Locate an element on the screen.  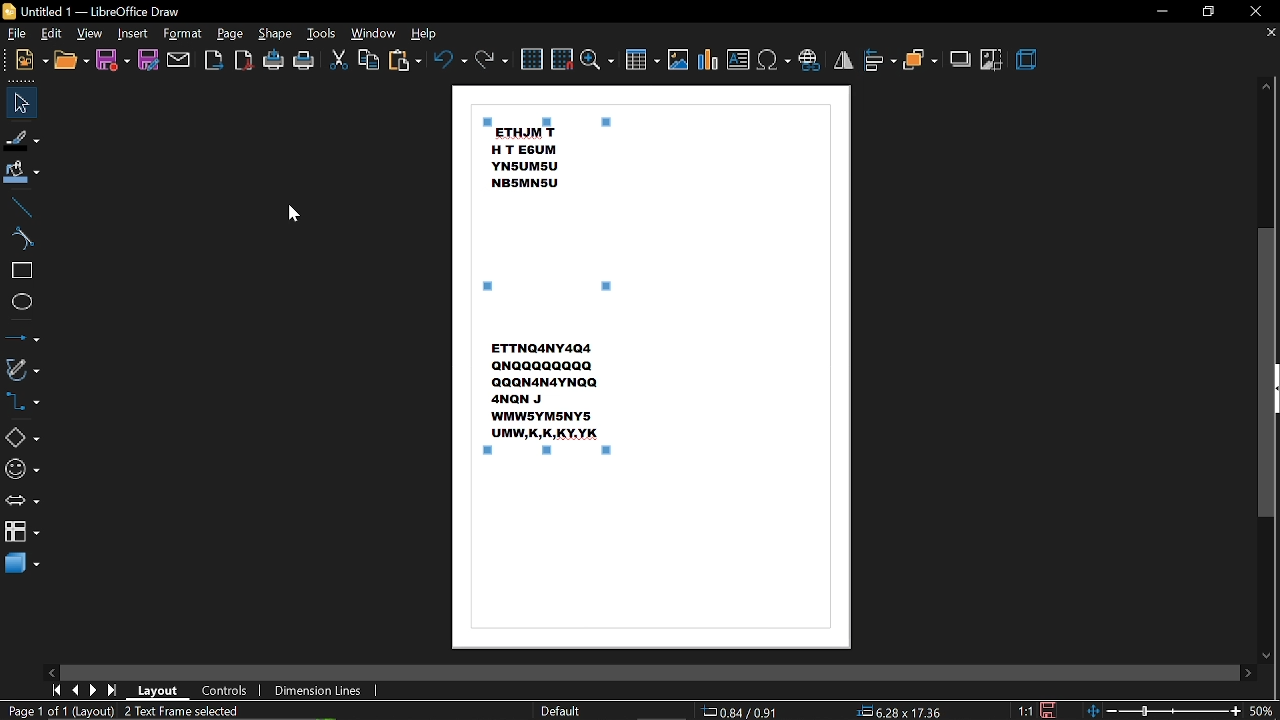
tools is located at coordinates (324, 33).